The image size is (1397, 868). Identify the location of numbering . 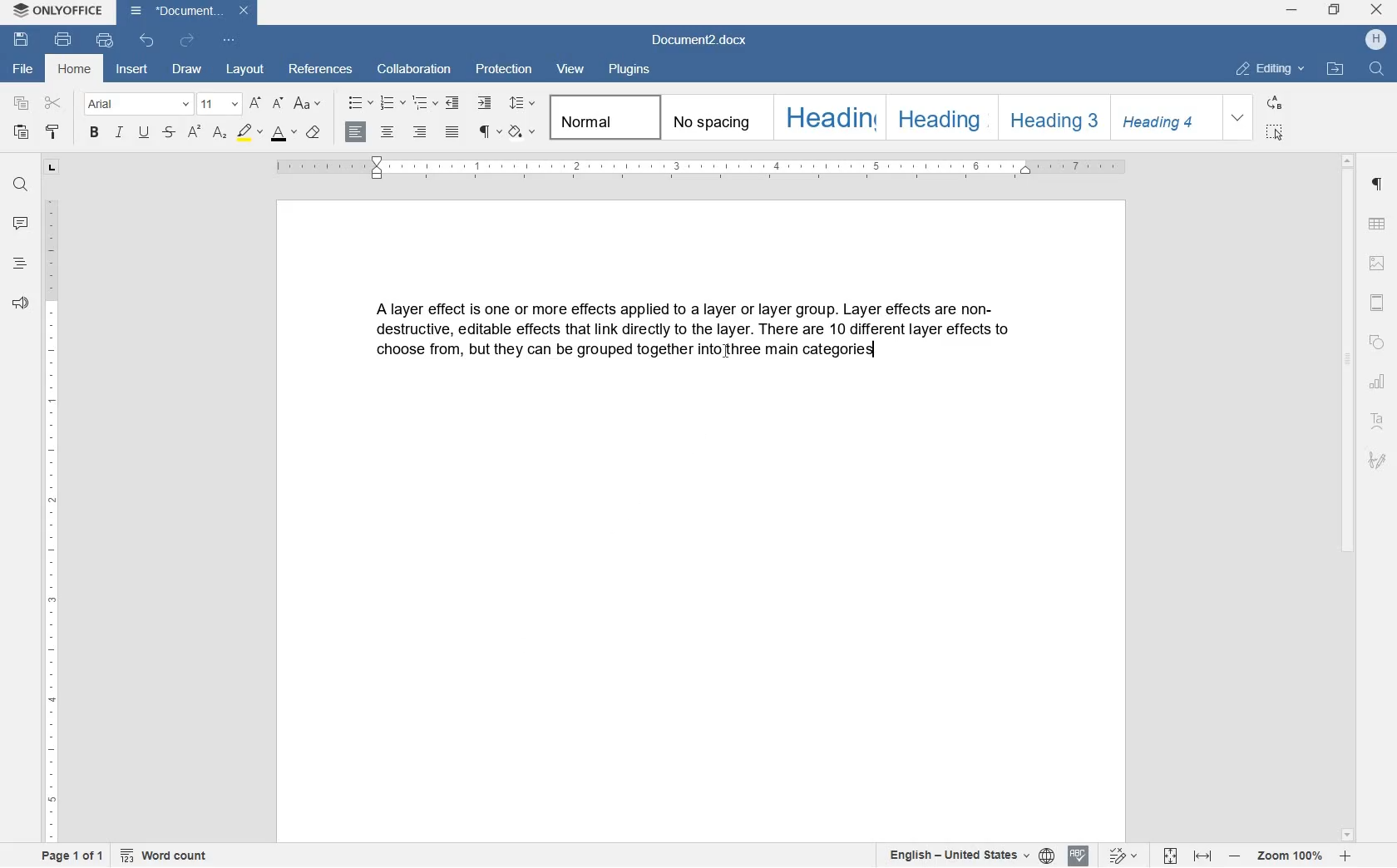
(392, 103).